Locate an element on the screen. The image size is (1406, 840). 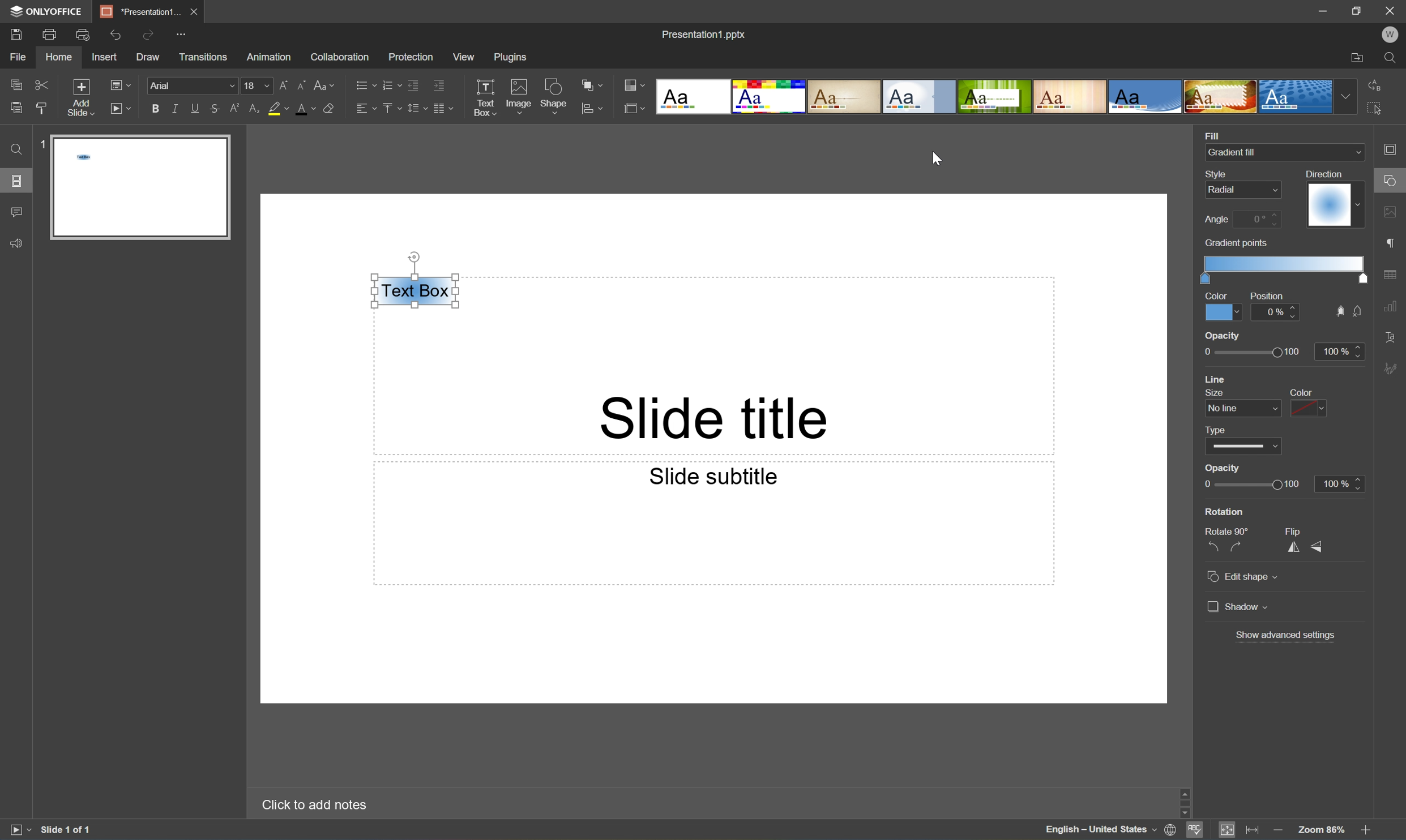
Decrease indent is located at coordinates (411, 84).